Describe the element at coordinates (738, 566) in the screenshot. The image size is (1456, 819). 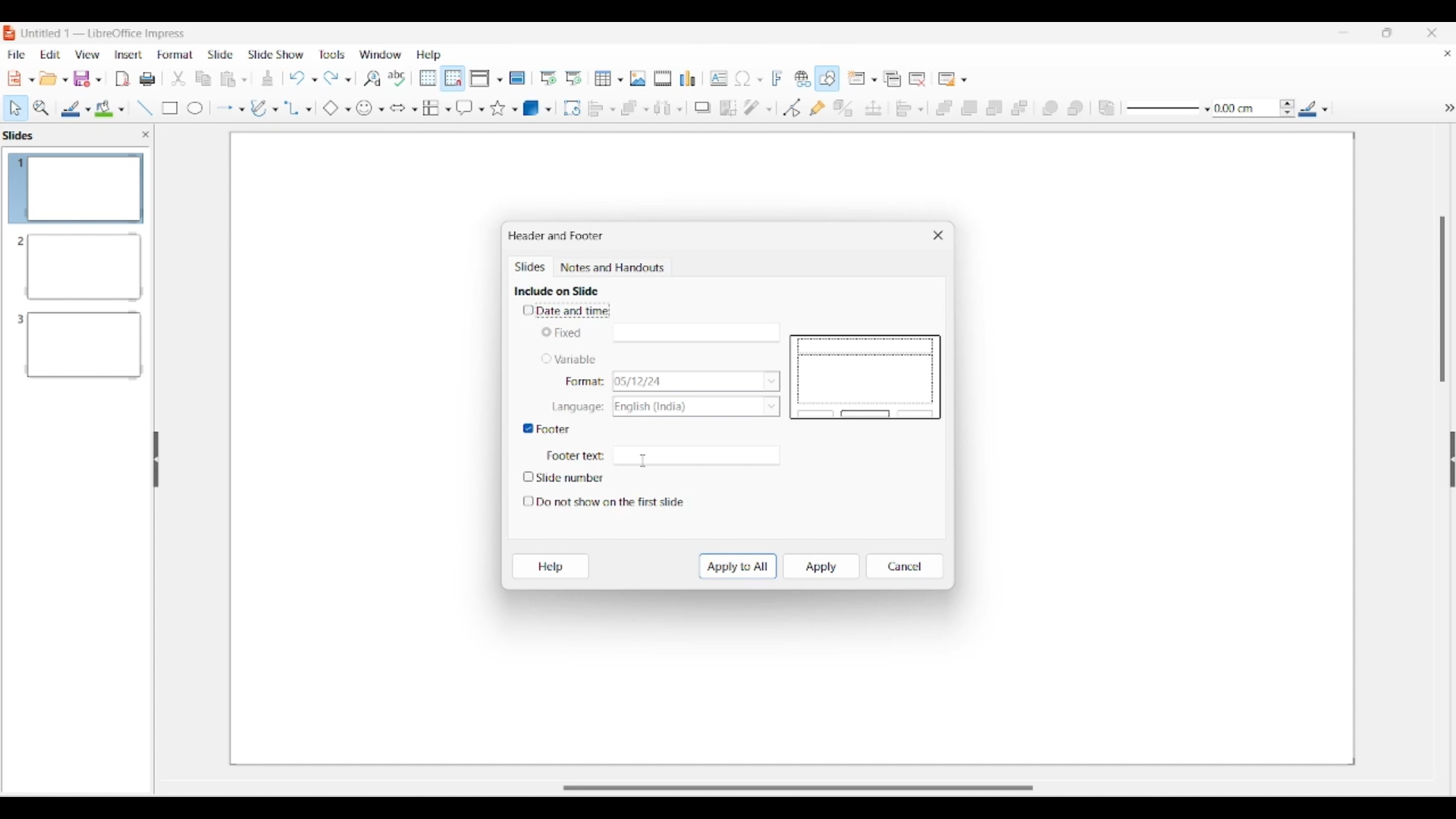
I see `Apply to all slides` at that location.